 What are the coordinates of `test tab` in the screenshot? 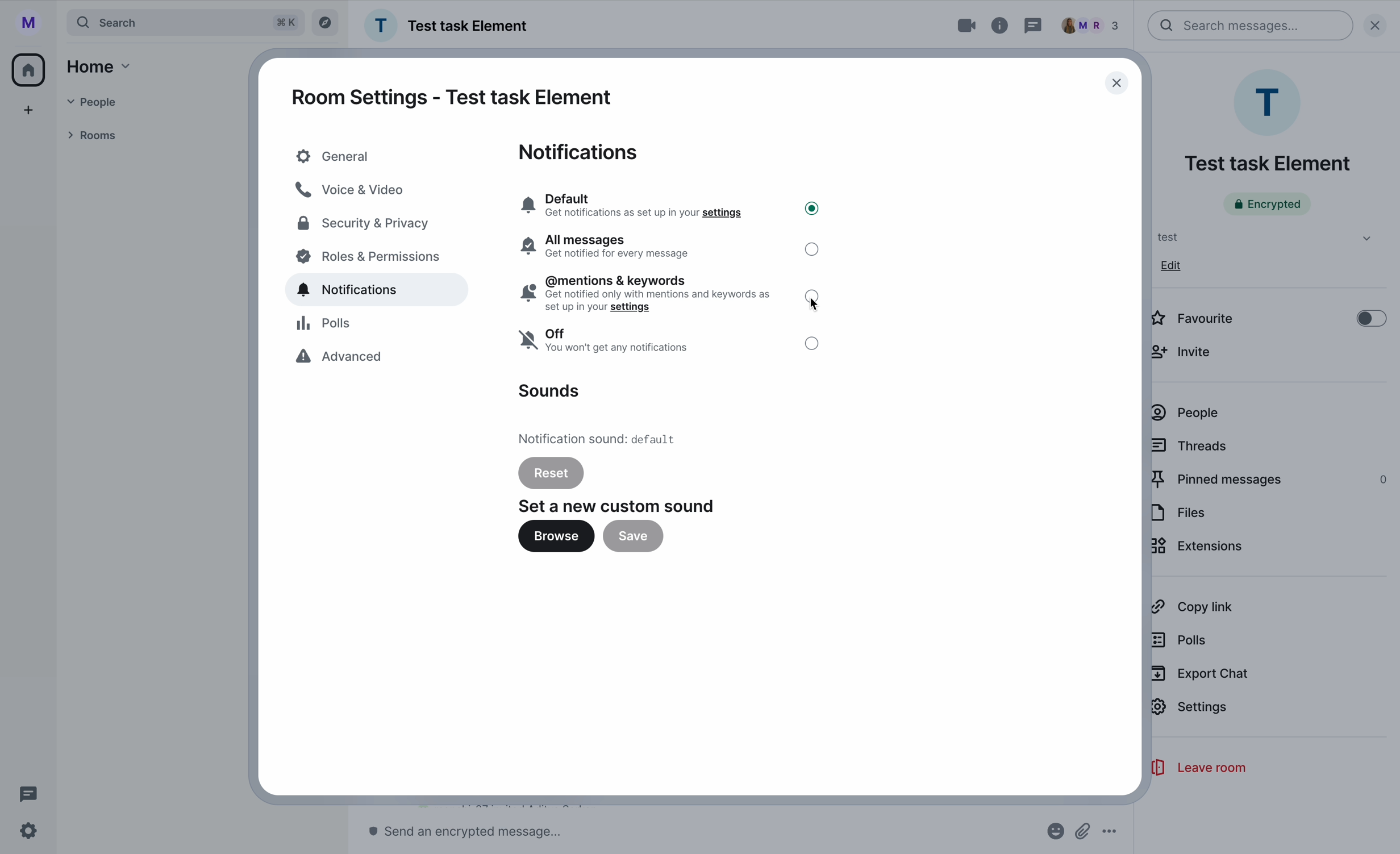 It's located at (1260, 237).